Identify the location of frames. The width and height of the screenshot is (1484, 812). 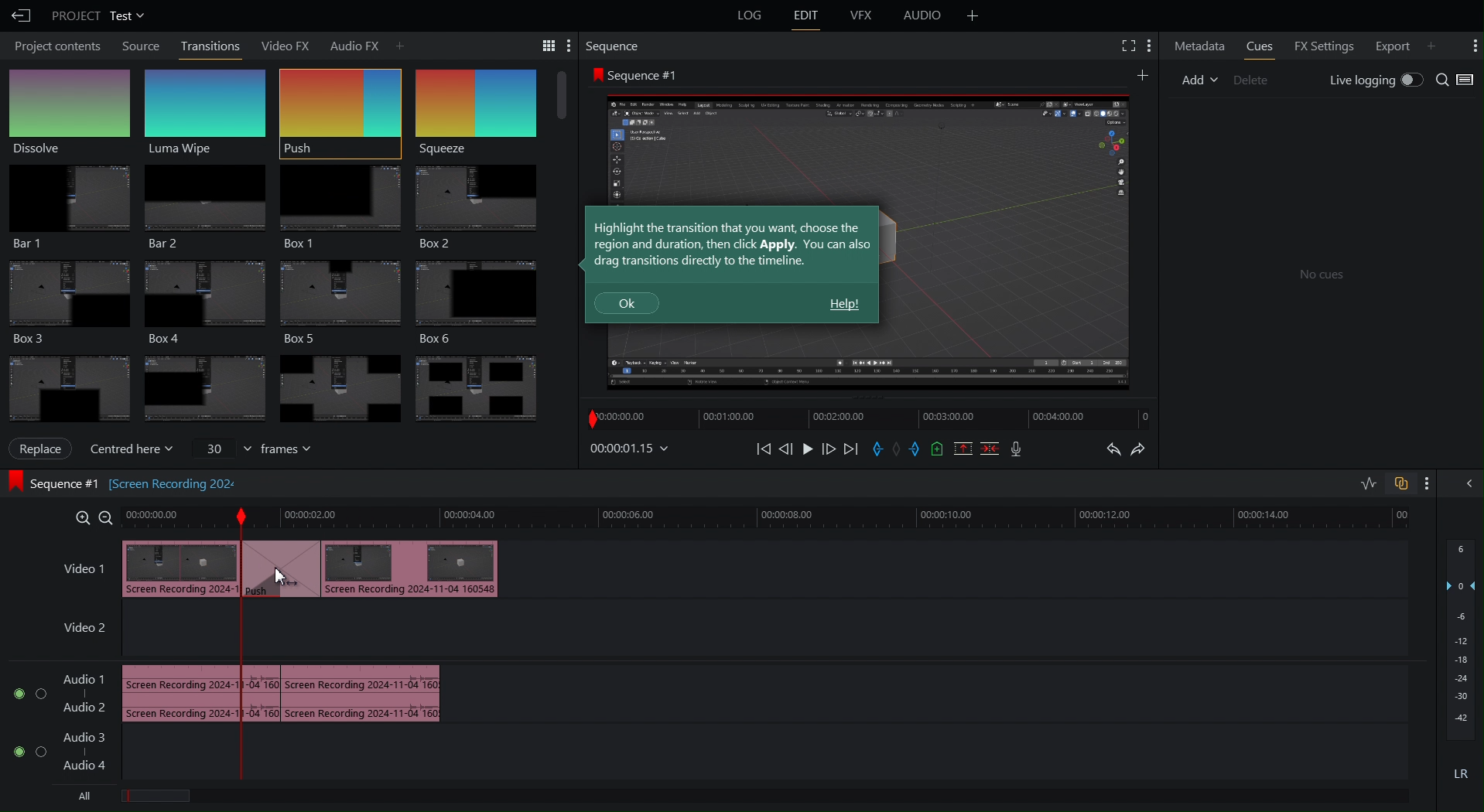
(293, 449).